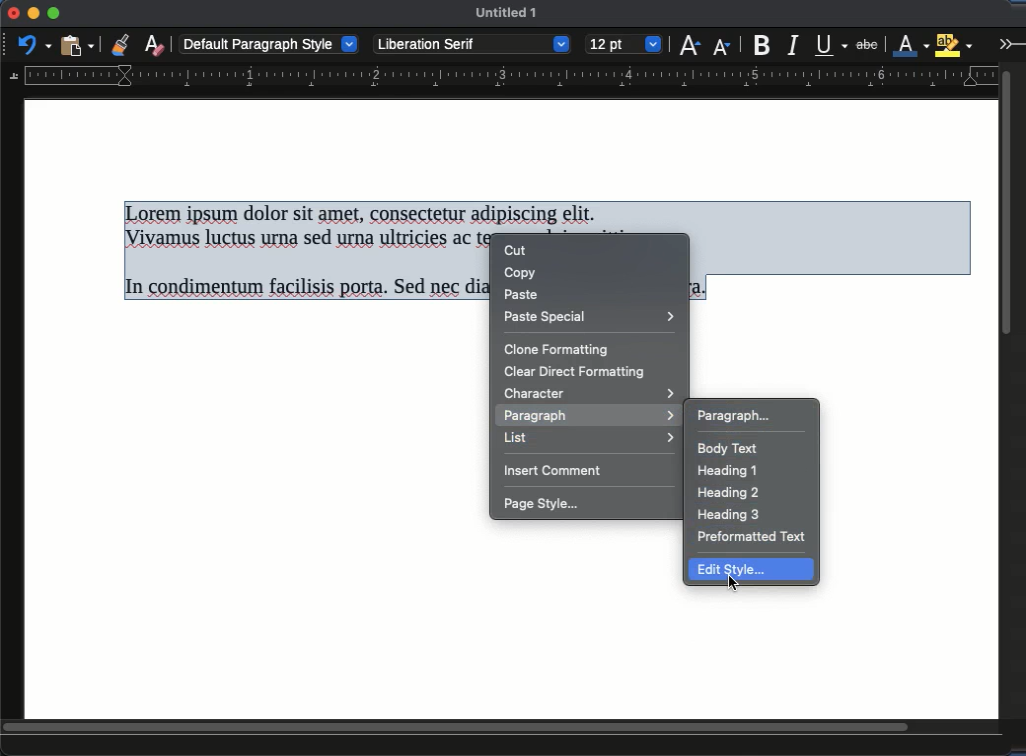 This screenshot has width=1026, height=756. I want to click on body text, so click(730, 449).